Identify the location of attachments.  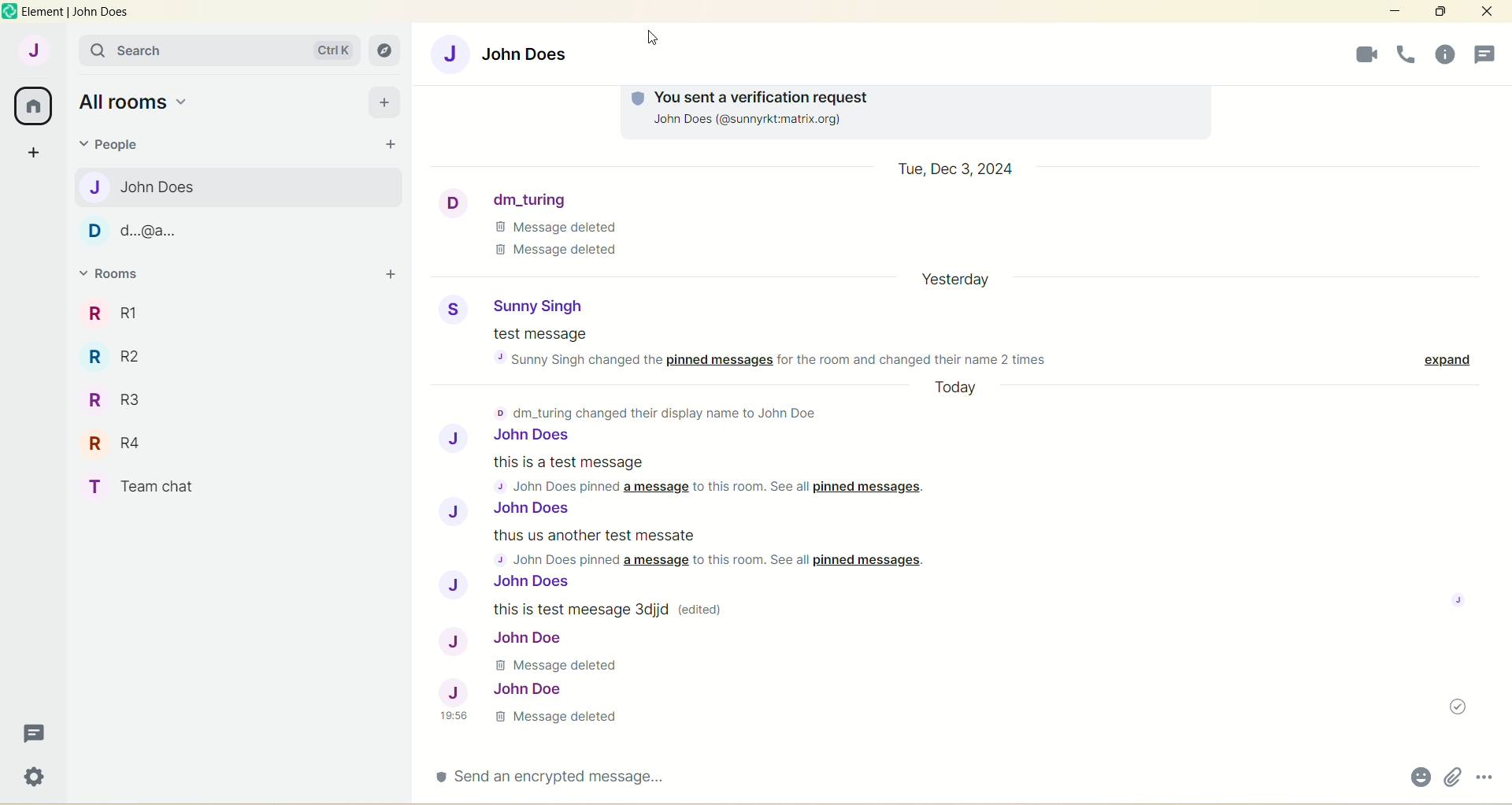
(1451, 775).